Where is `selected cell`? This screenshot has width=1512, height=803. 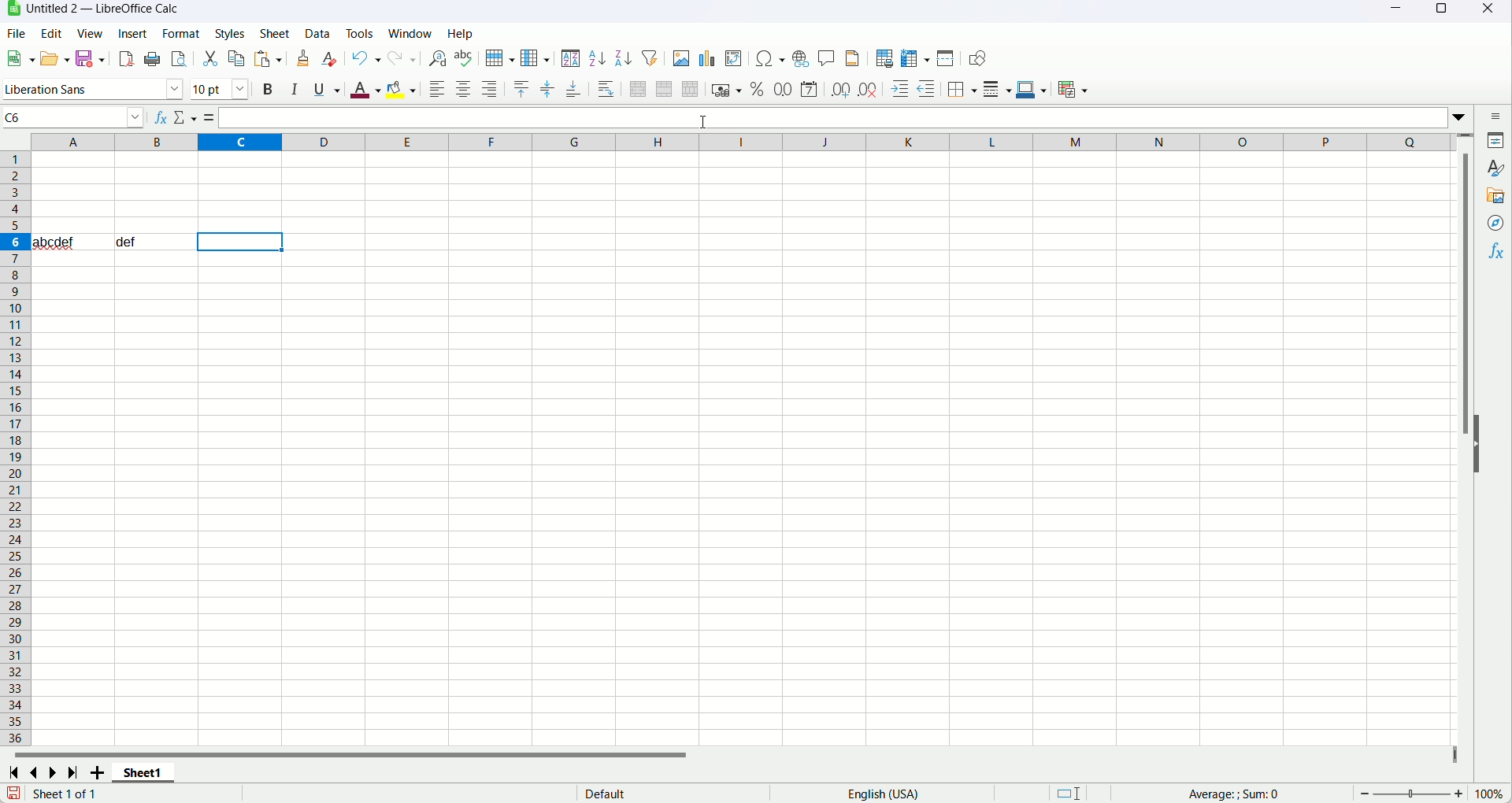
selected cell is located at coordinates (239, 243).